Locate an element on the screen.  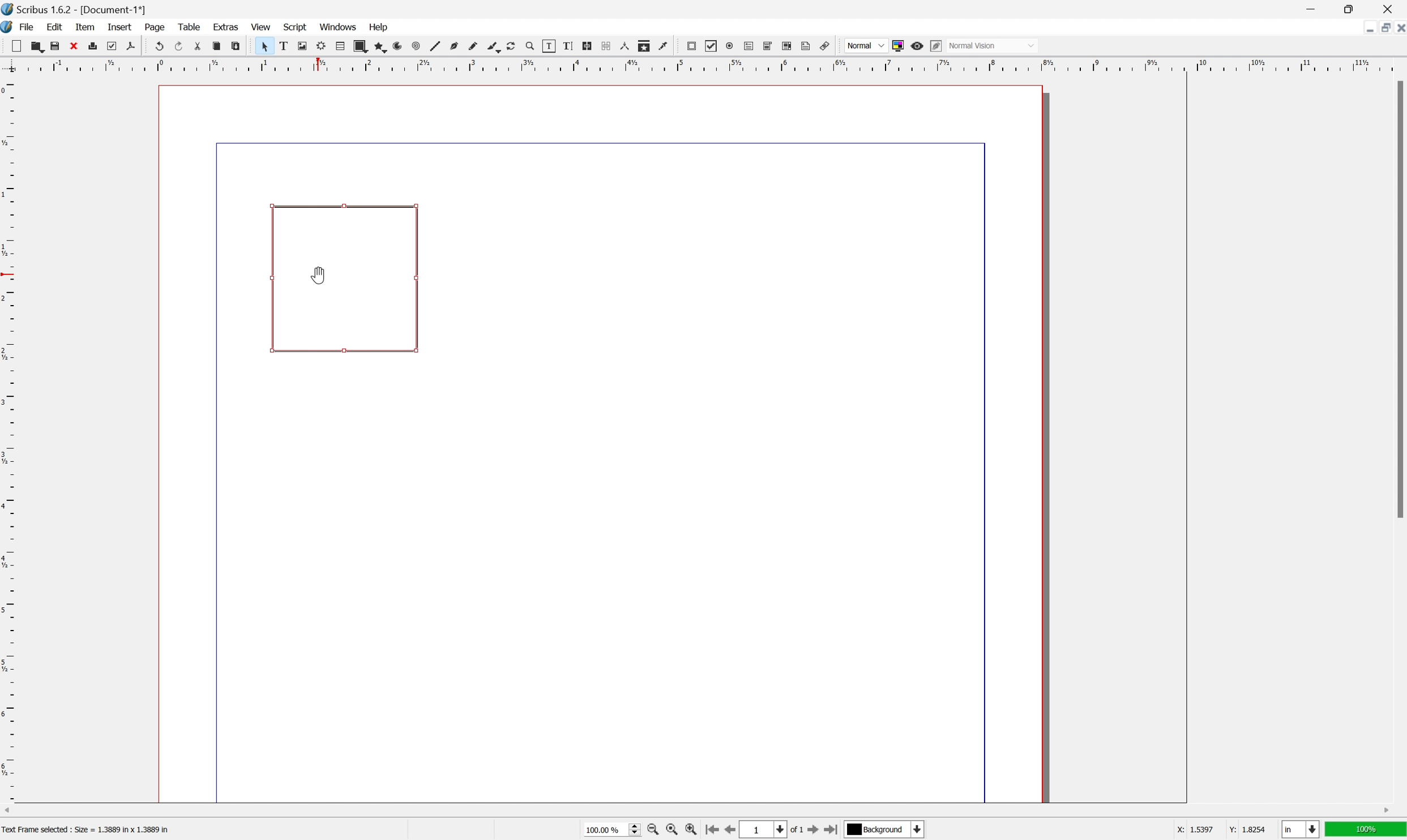
scroll bar is located at coordinates (1398, 299).